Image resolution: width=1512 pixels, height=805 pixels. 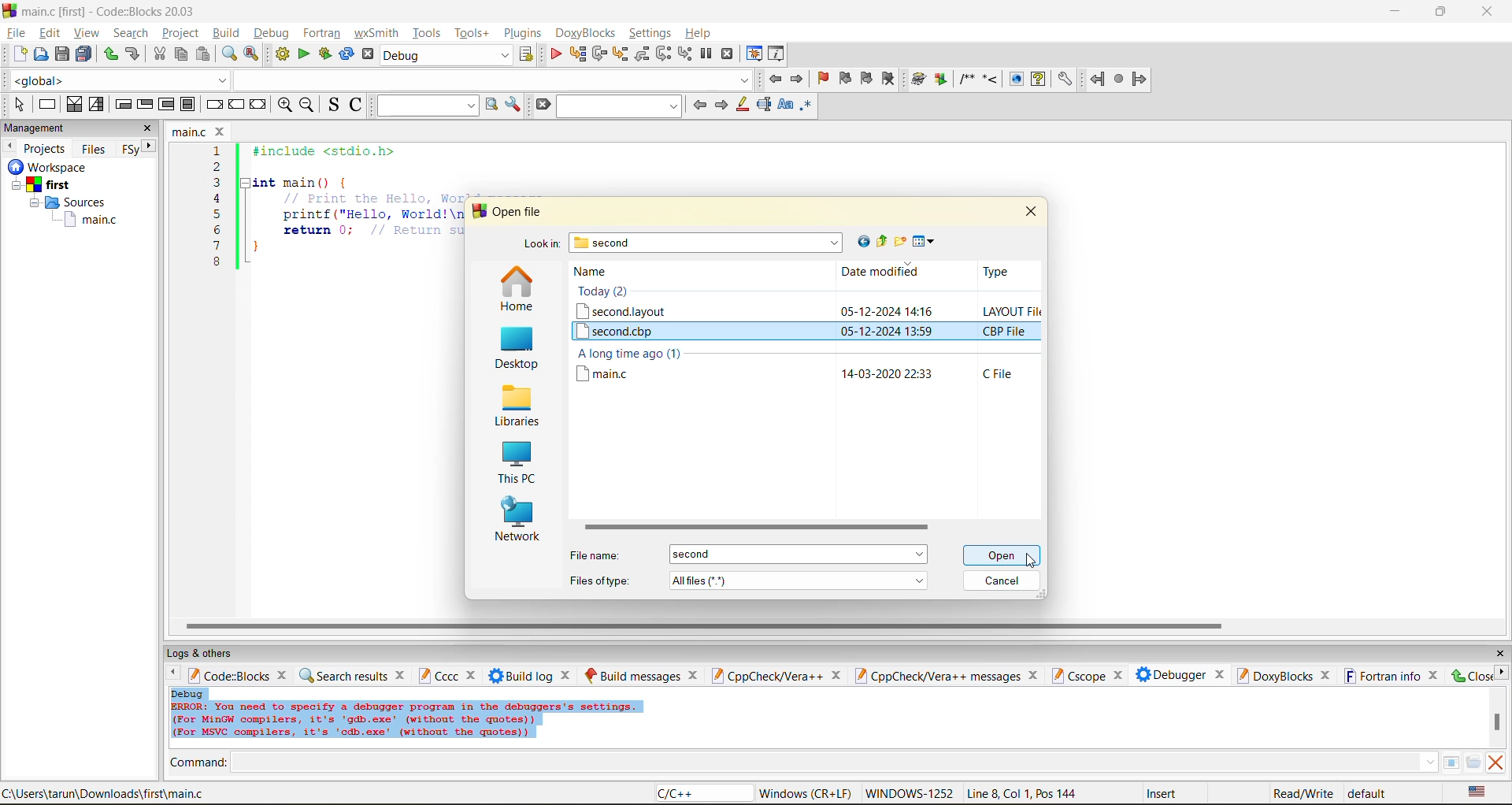 I want to click on command, so click(x=198, y=764).